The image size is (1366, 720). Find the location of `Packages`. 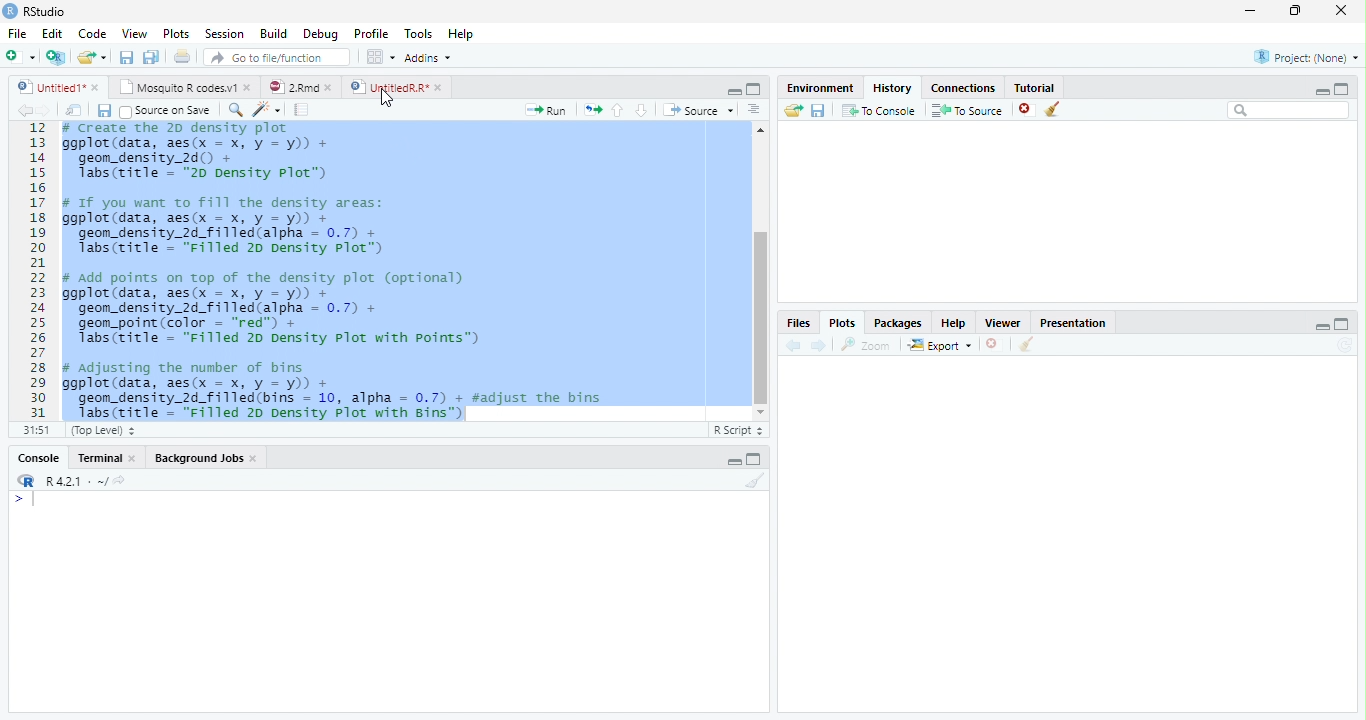

Packages is located at coordinates (897, 325).